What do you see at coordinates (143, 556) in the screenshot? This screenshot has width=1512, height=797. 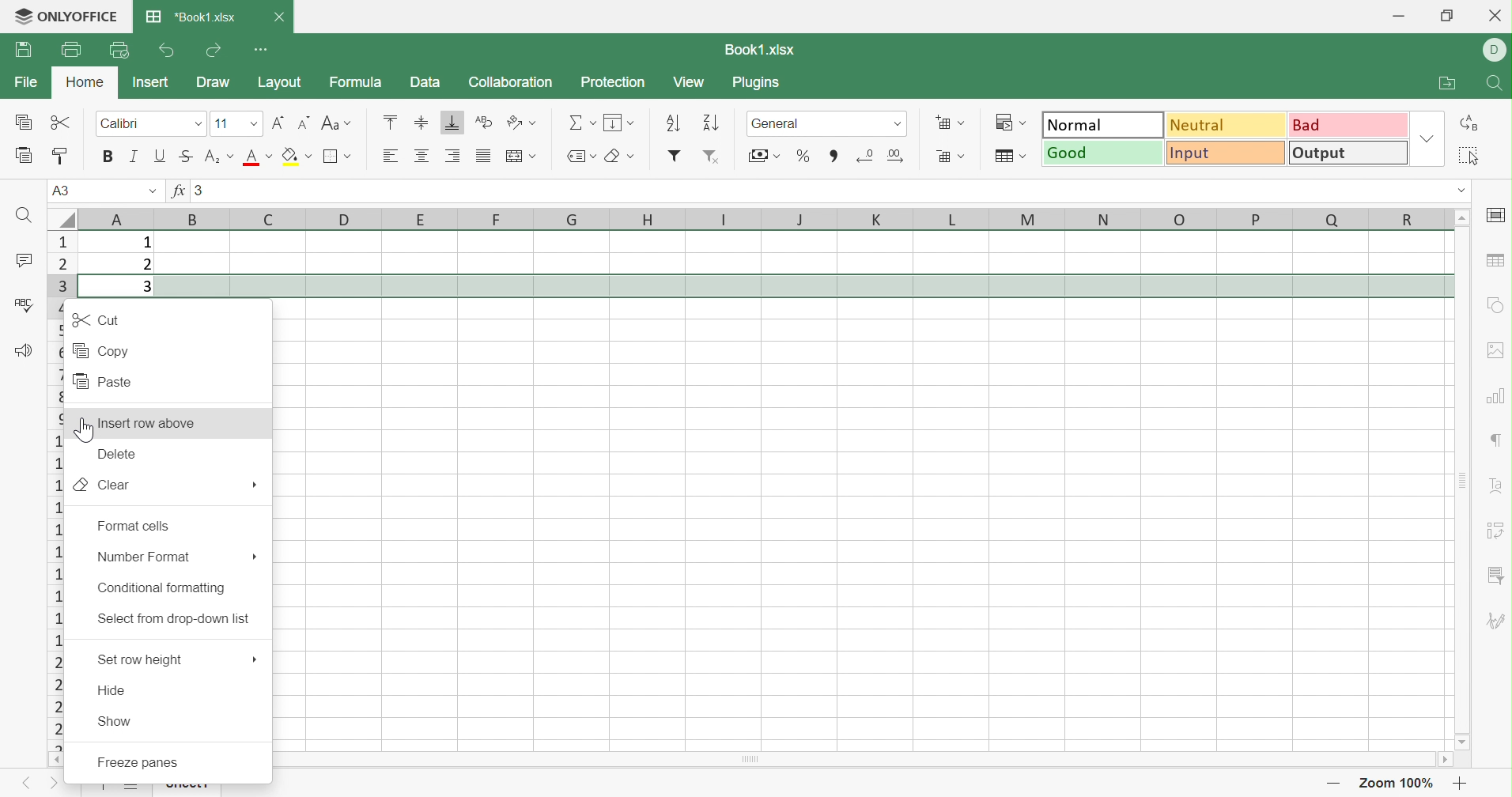 I see `Number format` at bounding box center [143, 556].